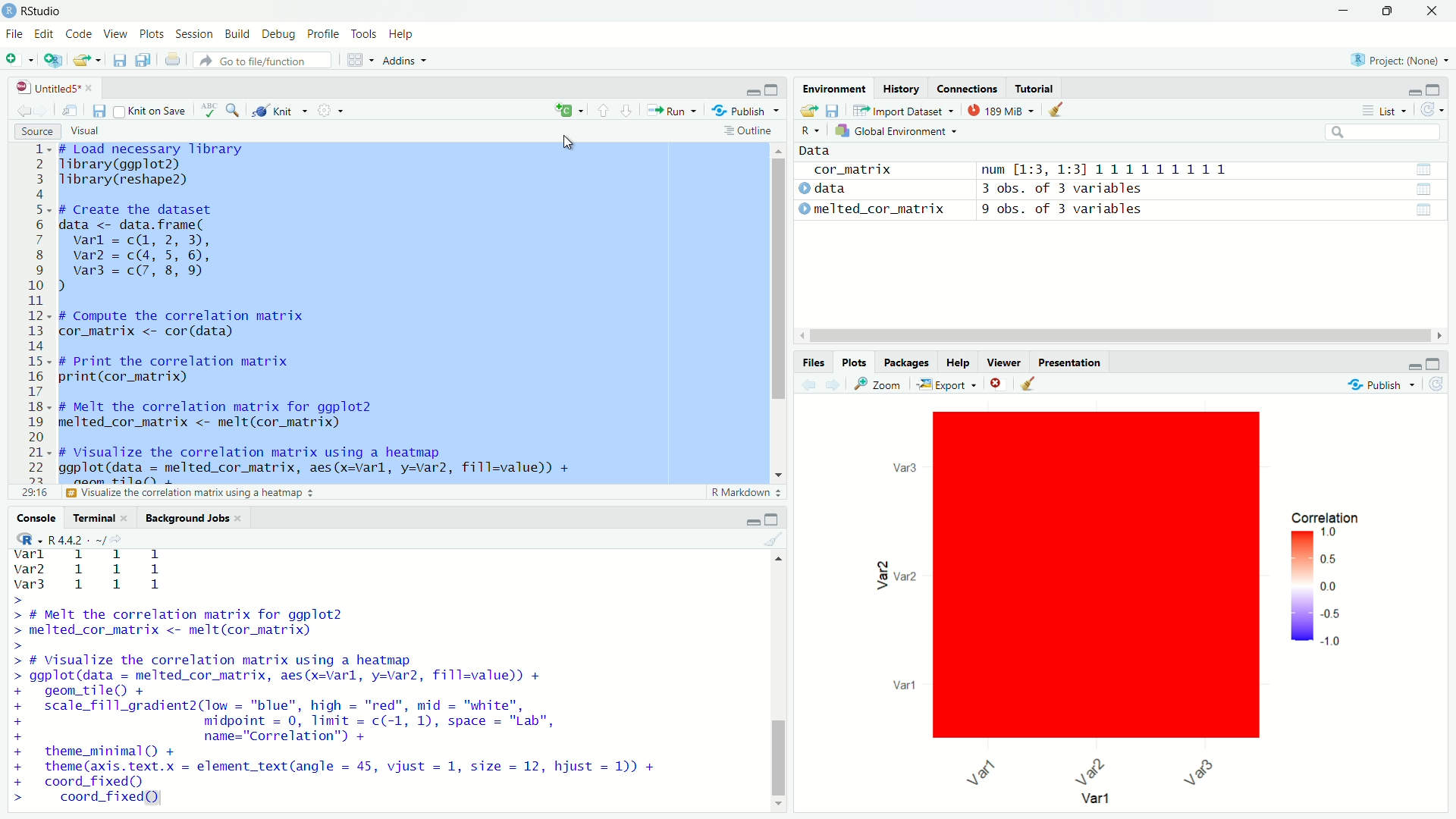  Describe the element at coordinates (1069, 362) in the screenshot. I see `presentation` at that location.